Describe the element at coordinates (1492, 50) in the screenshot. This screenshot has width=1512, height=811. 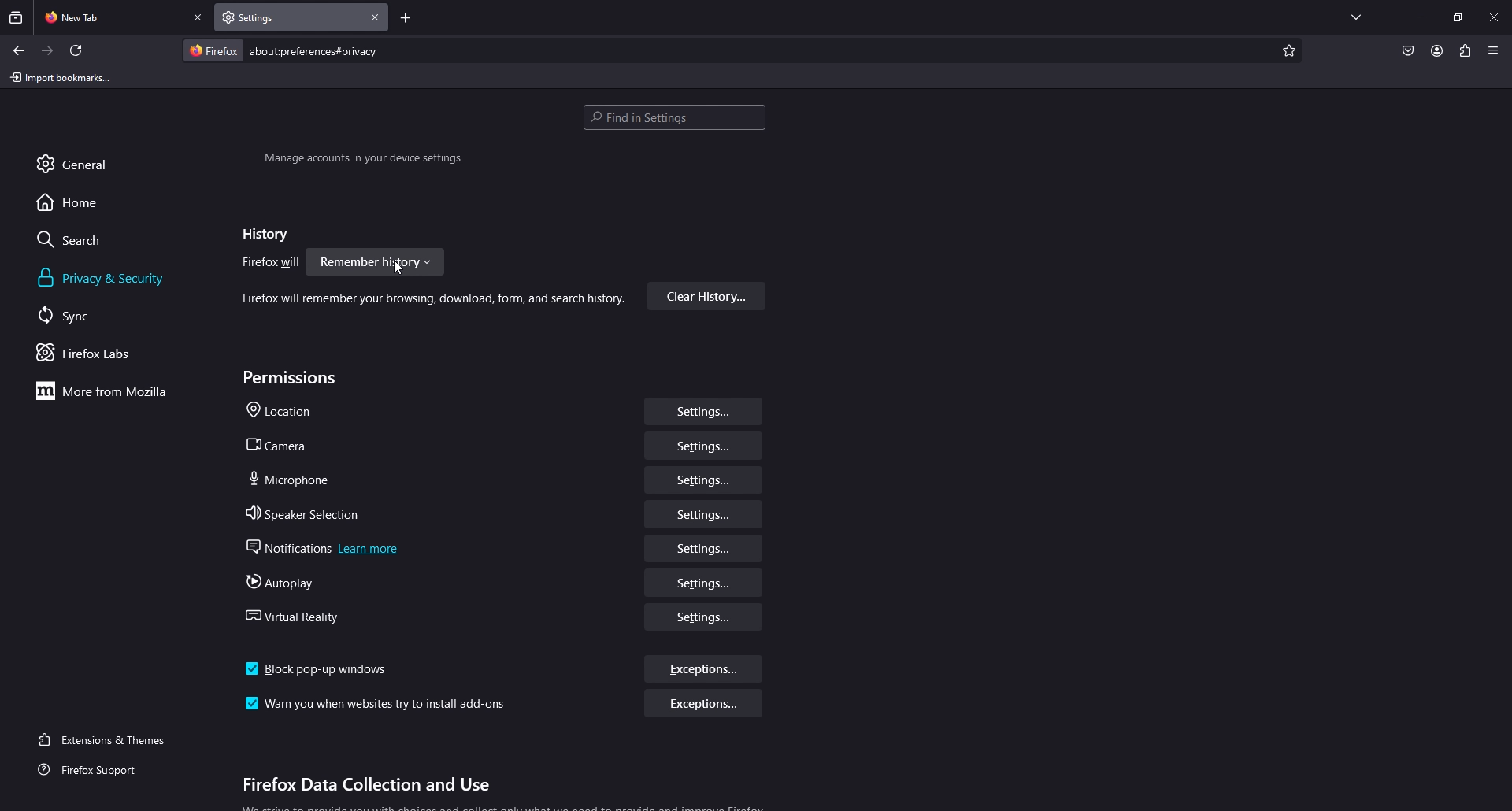
I see `application menu` at that location.